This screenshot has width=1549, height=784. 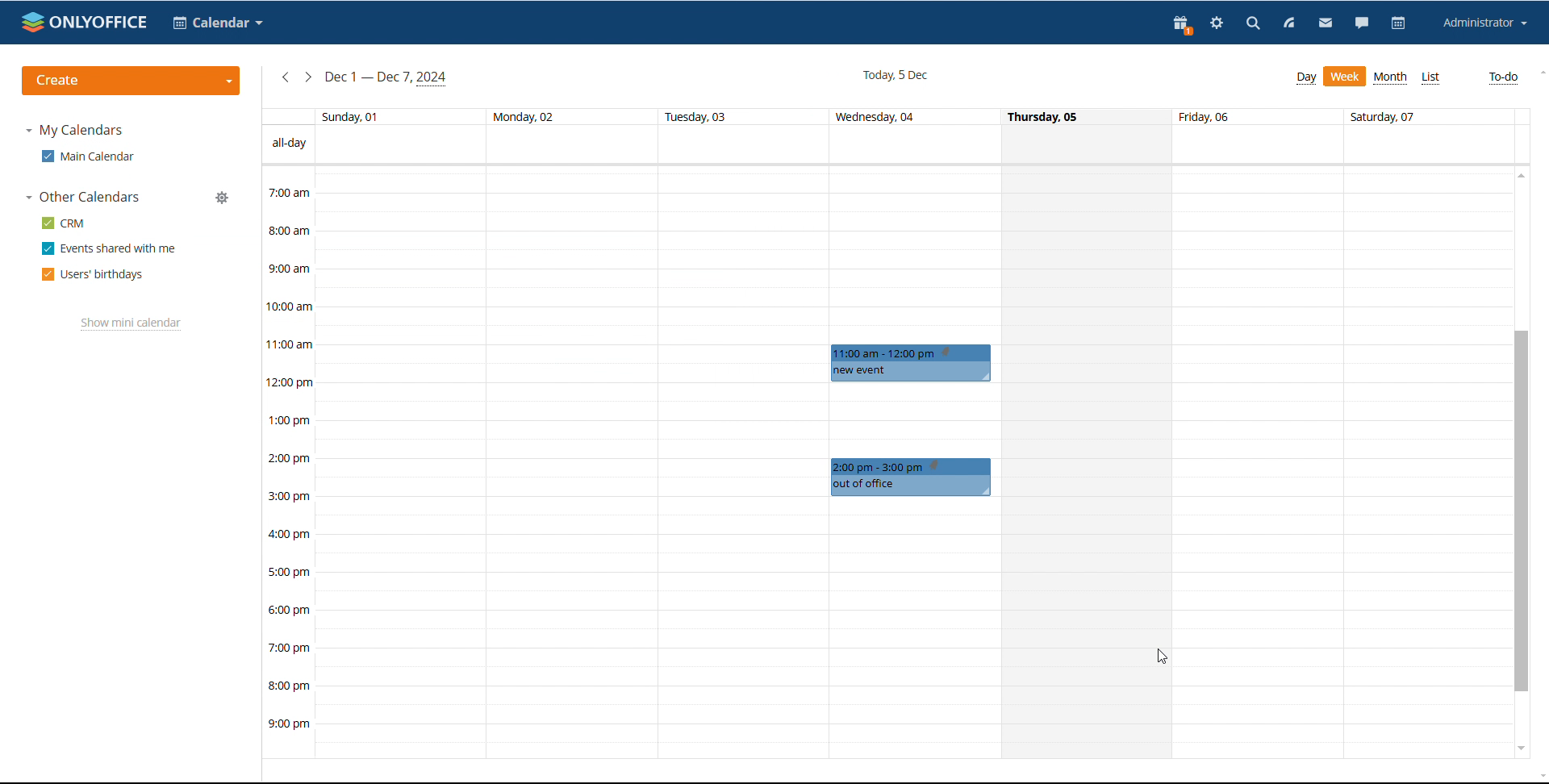 What do you see at coordinates (1163, 657) in the screenshot?
I see `cursor` at bounding box center [1163, 657].